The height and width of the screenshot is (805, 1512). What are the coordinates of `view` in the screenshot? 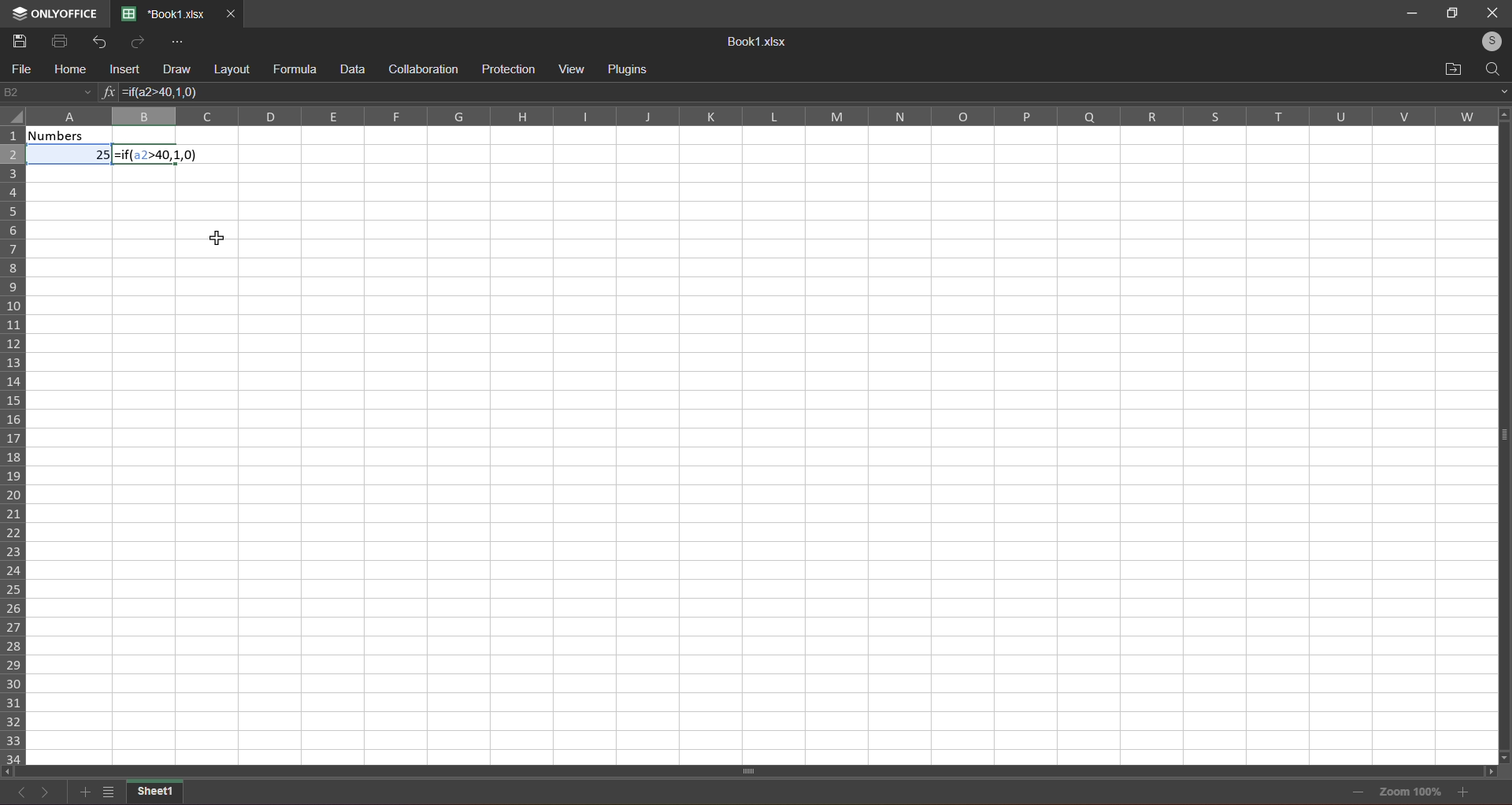 It's located at (574, 69).